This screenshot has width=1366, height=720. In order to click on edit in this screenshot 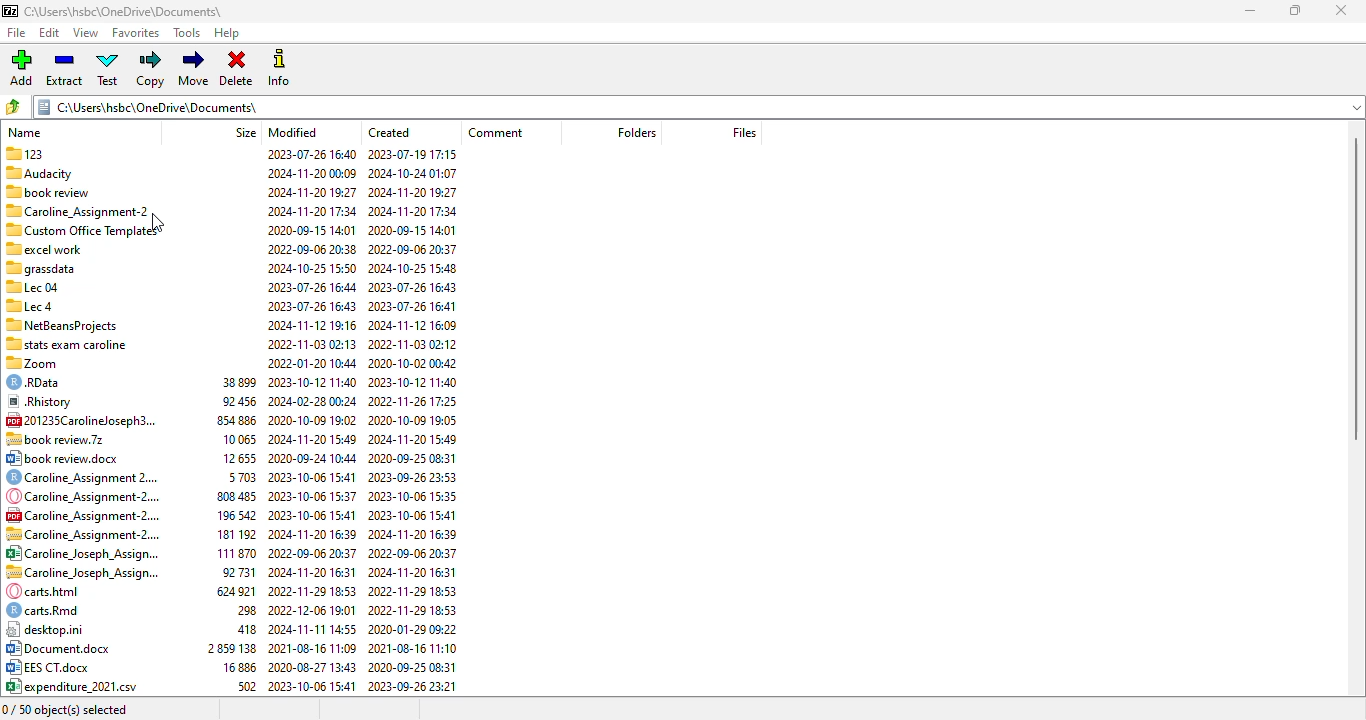, I will do `click(49, 33)`.